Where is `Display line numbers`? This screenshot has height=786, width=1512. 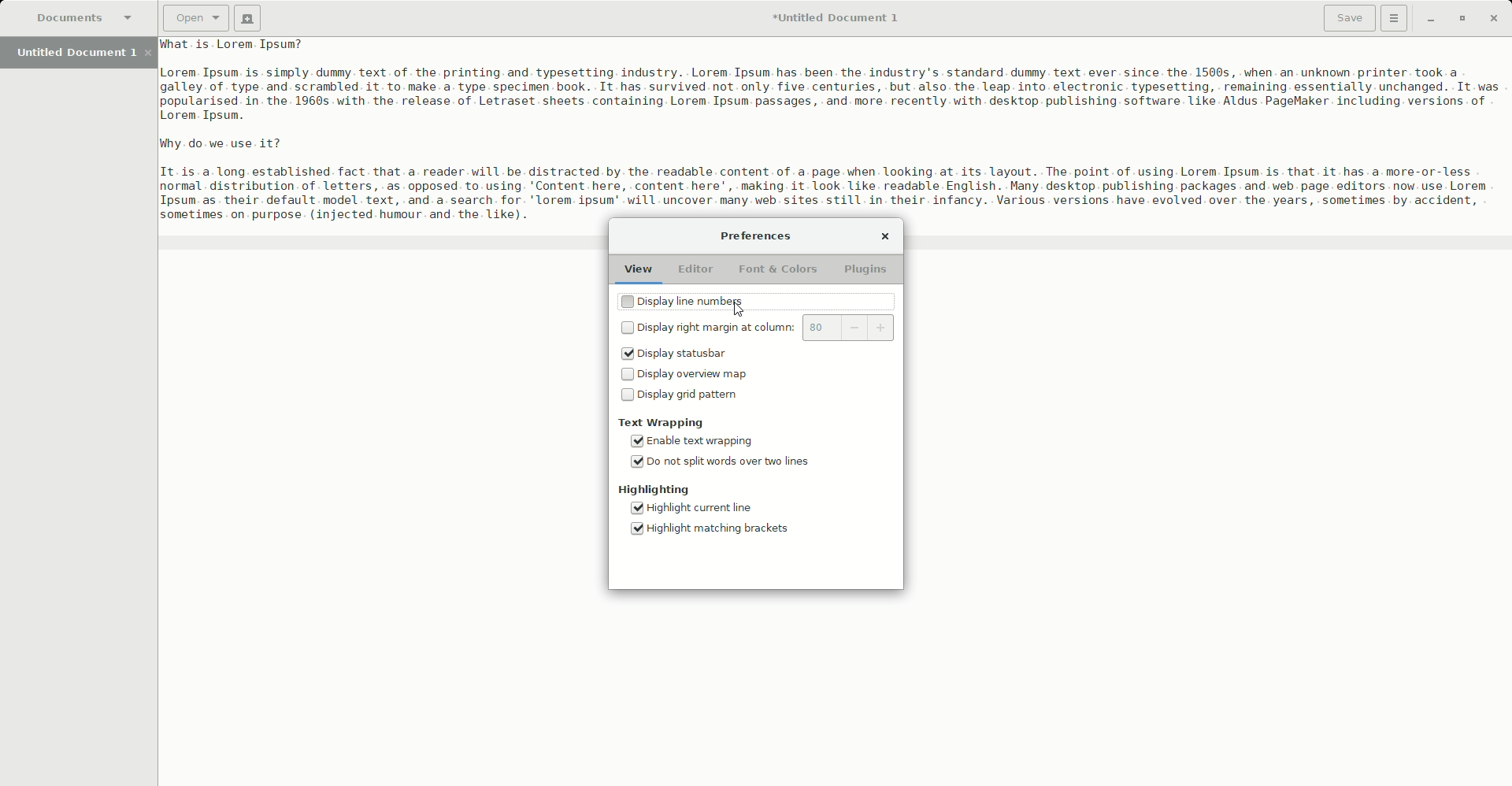
Display line numbers is located at coordinates (695, 302).